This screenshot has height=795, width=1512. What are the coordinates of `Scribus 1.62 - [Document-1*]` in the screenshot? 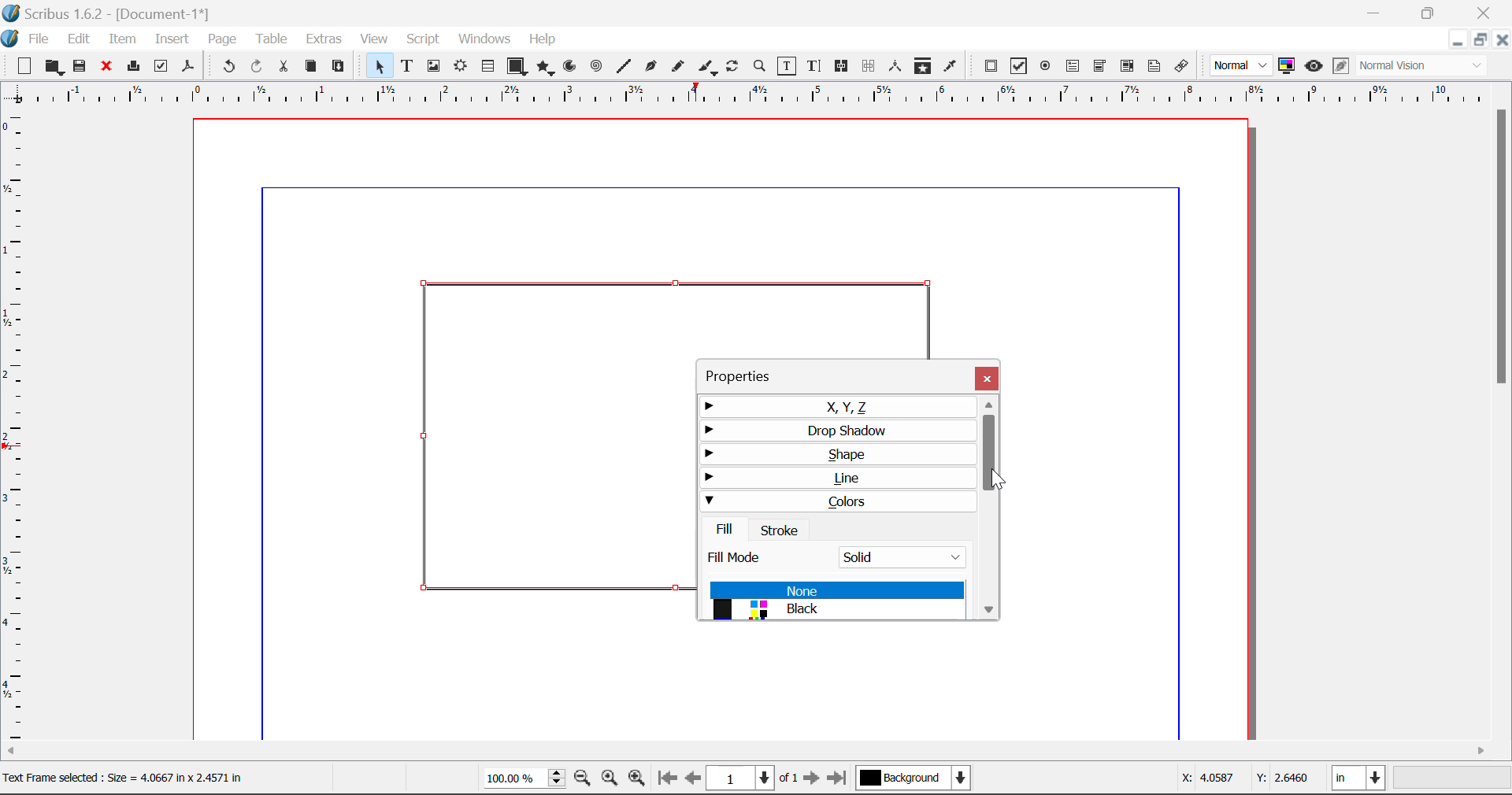 It's located at (113, 11).